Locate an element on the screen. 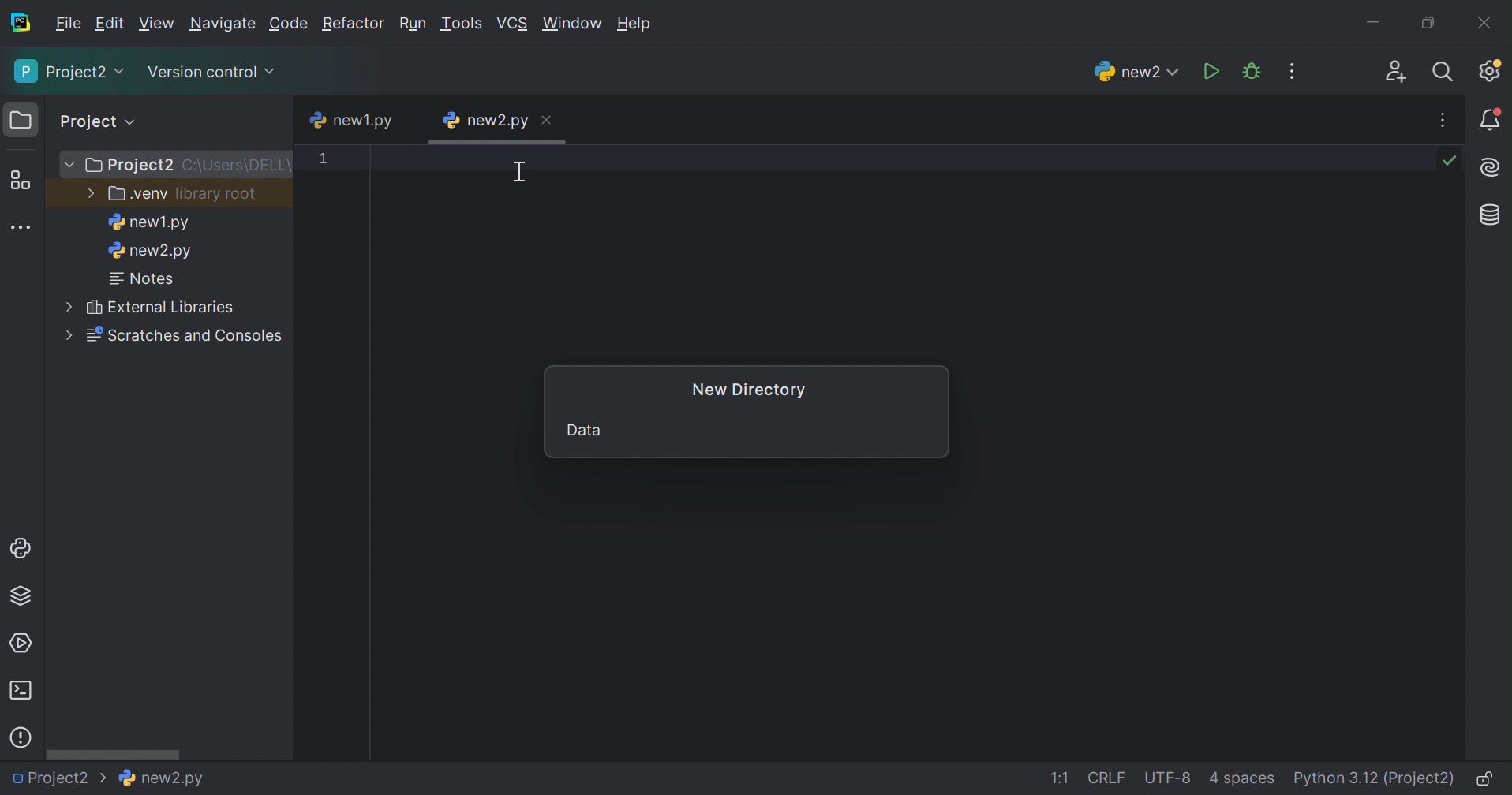  More is located at coordinates (65, 304).